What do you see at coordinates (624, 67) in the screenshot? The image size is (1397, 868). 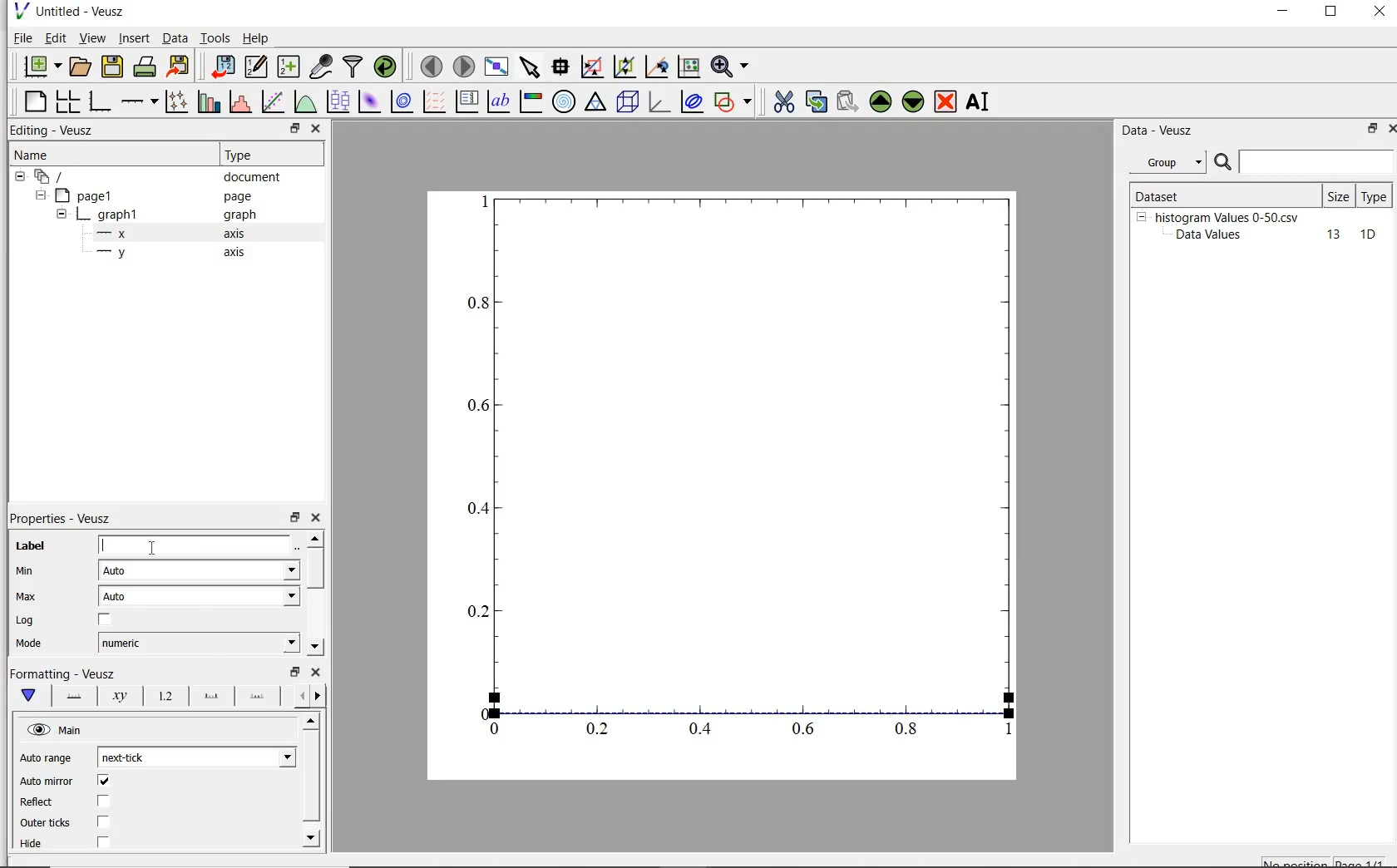 I see `click or draw a rectangle to zoom on graph axes` at bounding box center [624, 67].